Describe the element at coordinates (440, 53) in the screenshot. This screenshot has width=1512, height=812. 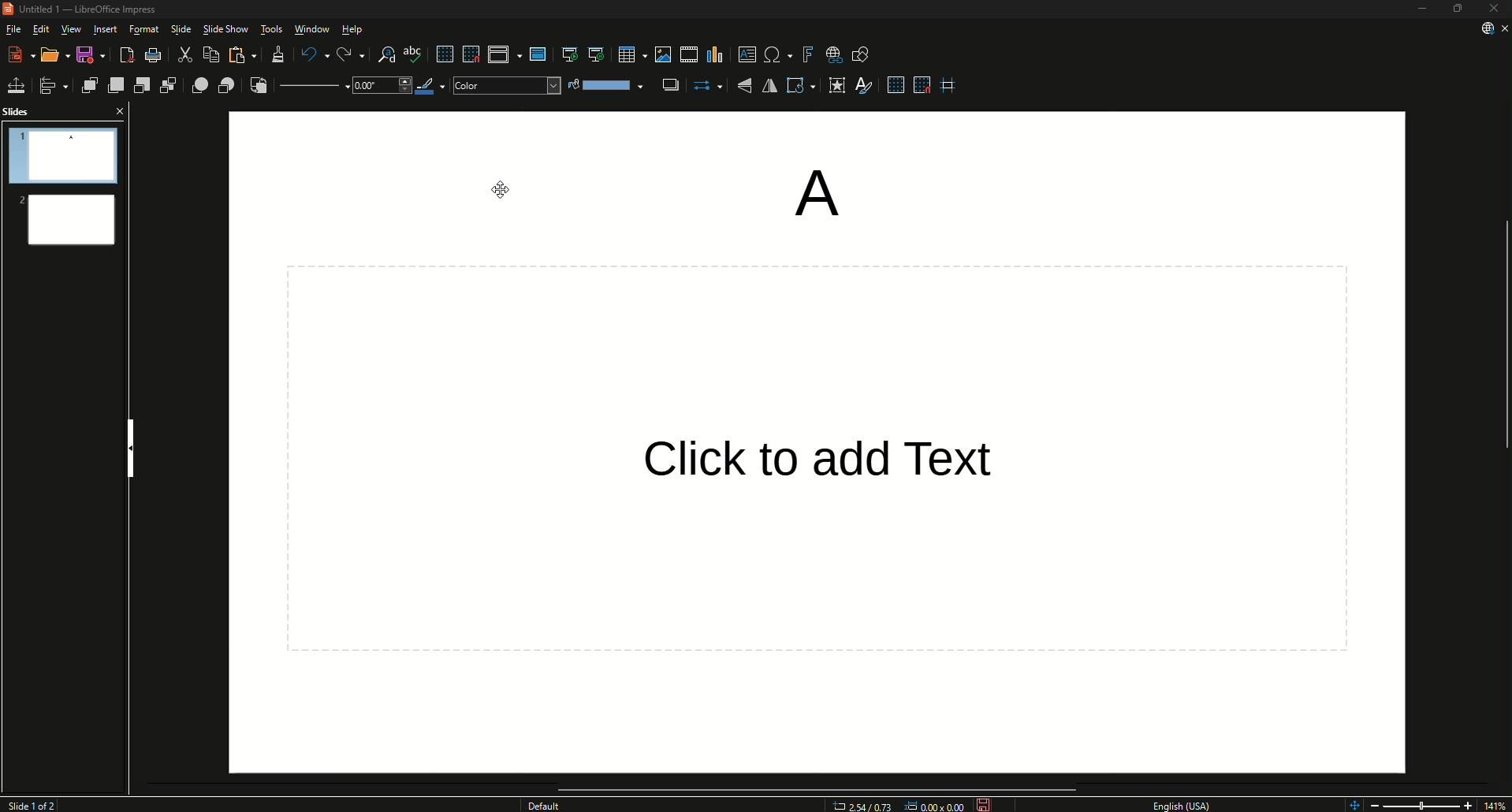
I see `Display Grid` at that location.